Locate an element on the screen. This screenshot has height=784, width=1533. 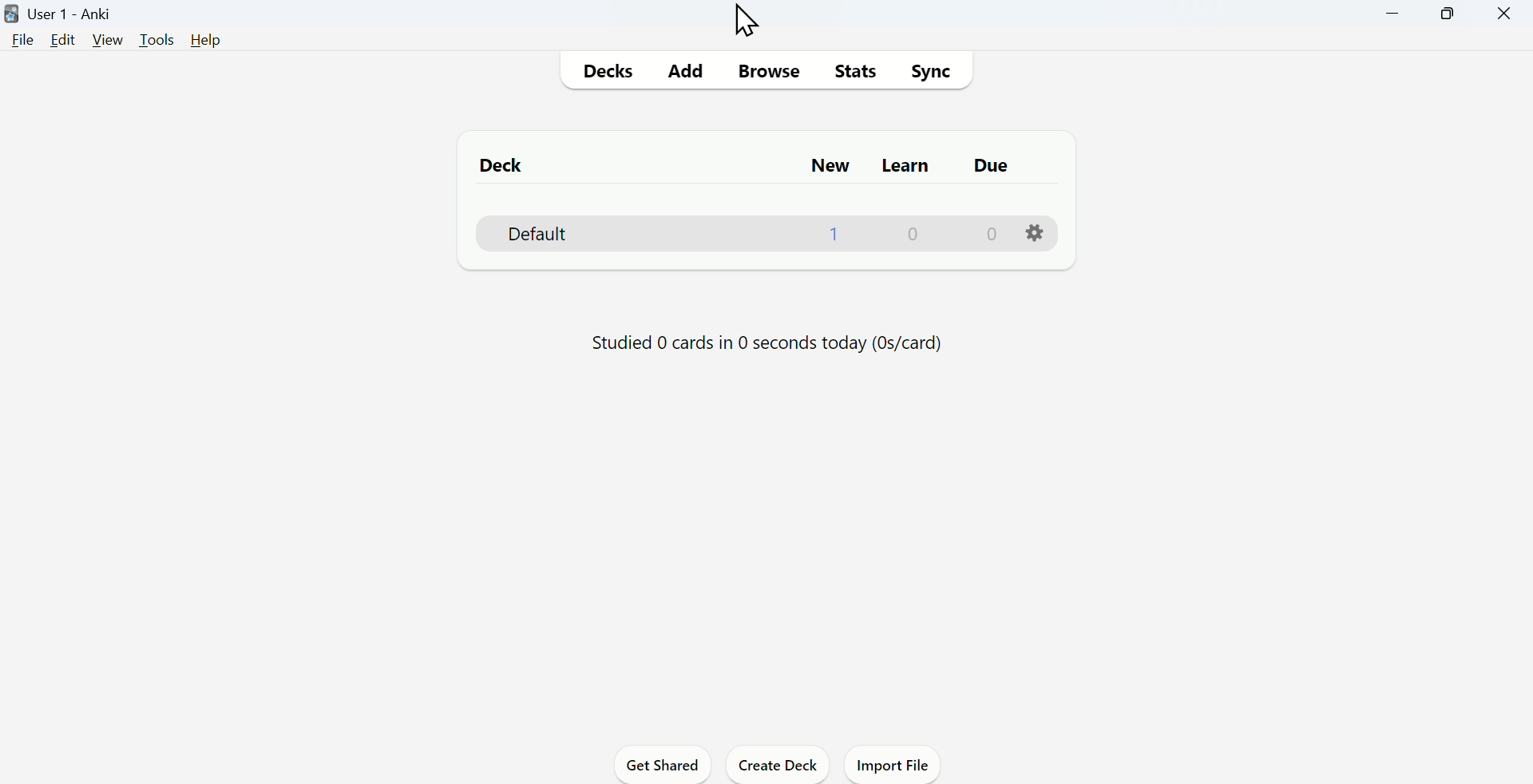
settings is located at coordinates (1036, 233).